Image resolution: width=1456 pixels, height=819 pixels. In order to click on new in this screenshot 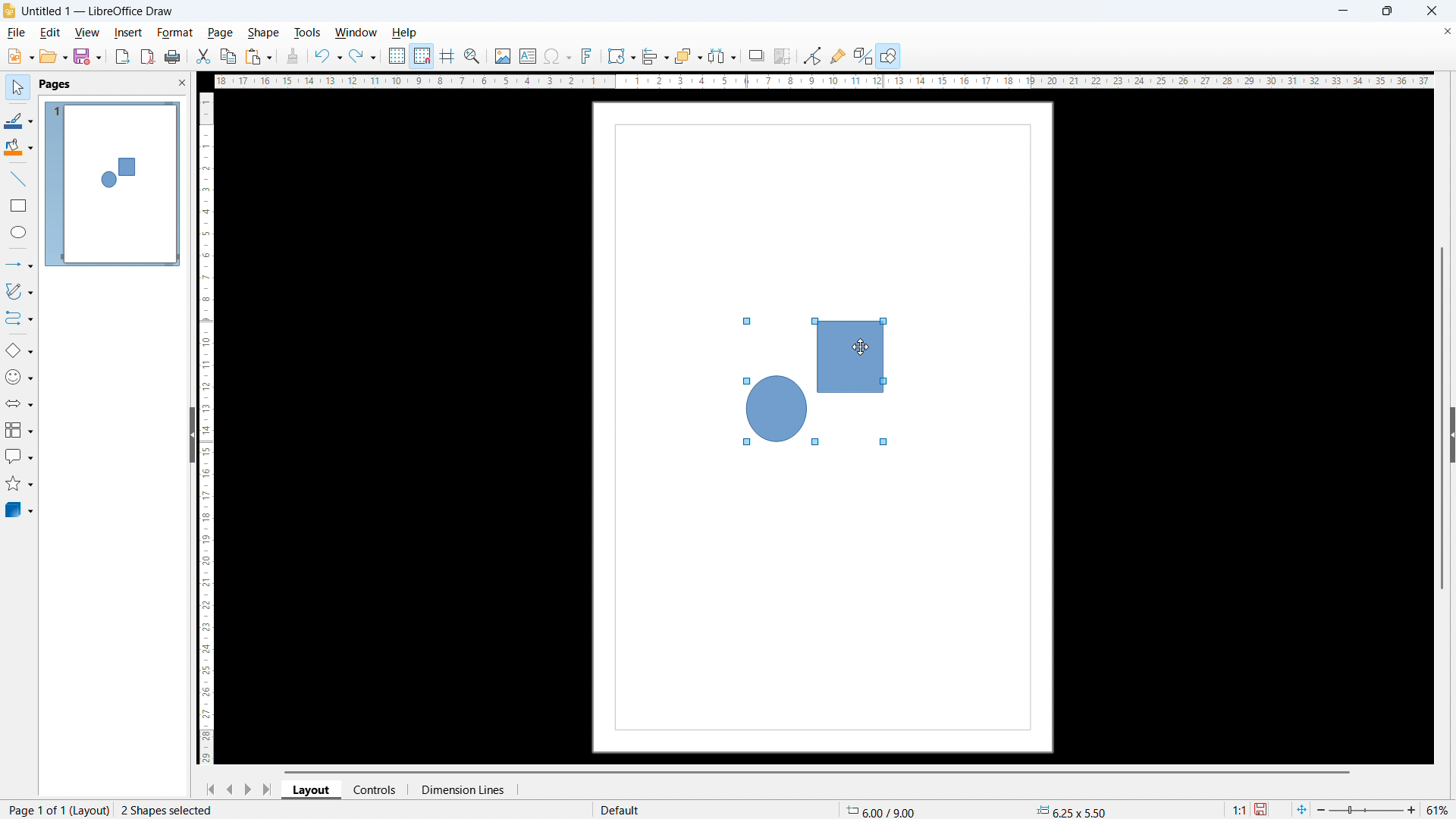, I will do `click(21, 56)`.